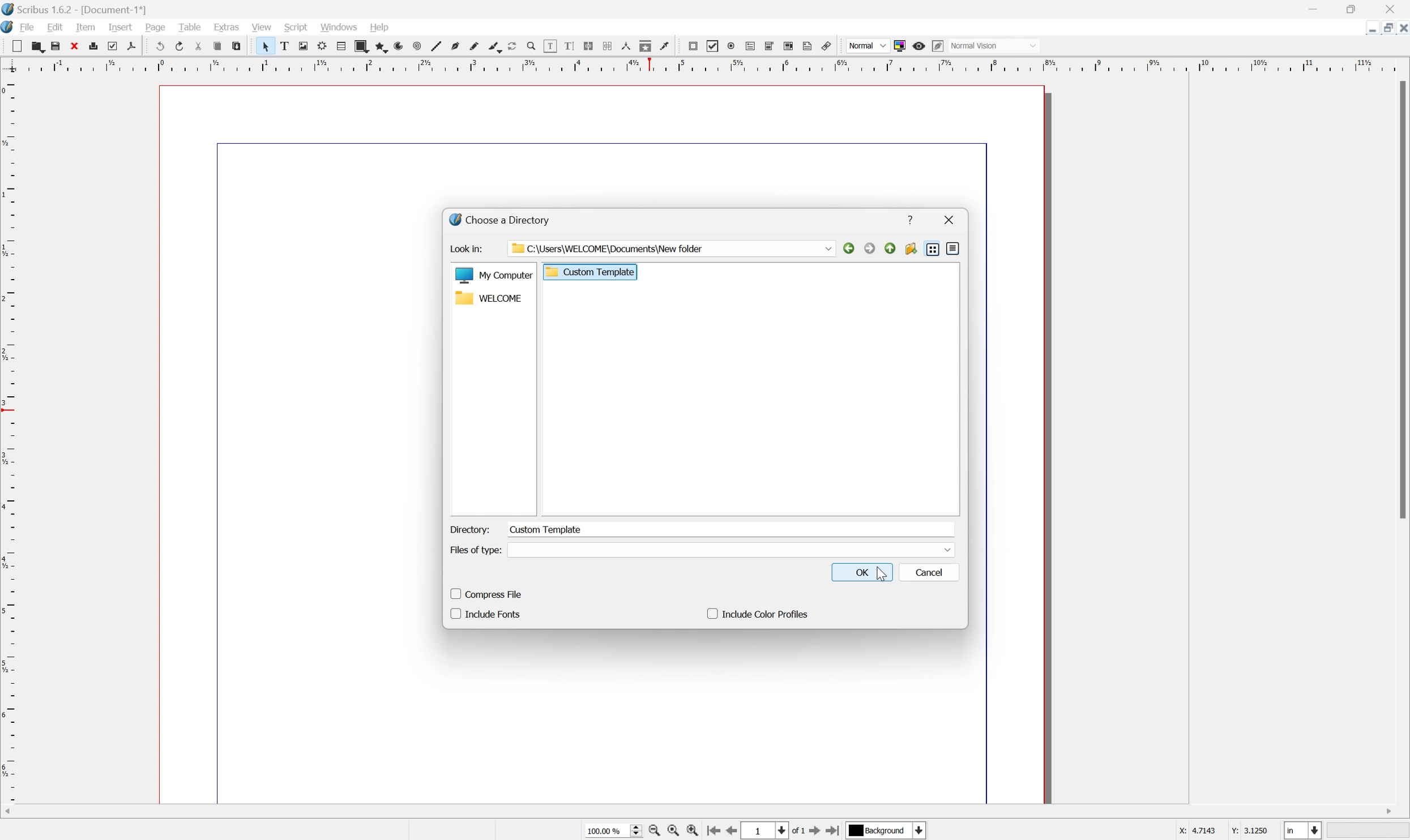  Describe the element at coordinates (514, 529) in the screenshot. I see `Typing cursor` at that location.